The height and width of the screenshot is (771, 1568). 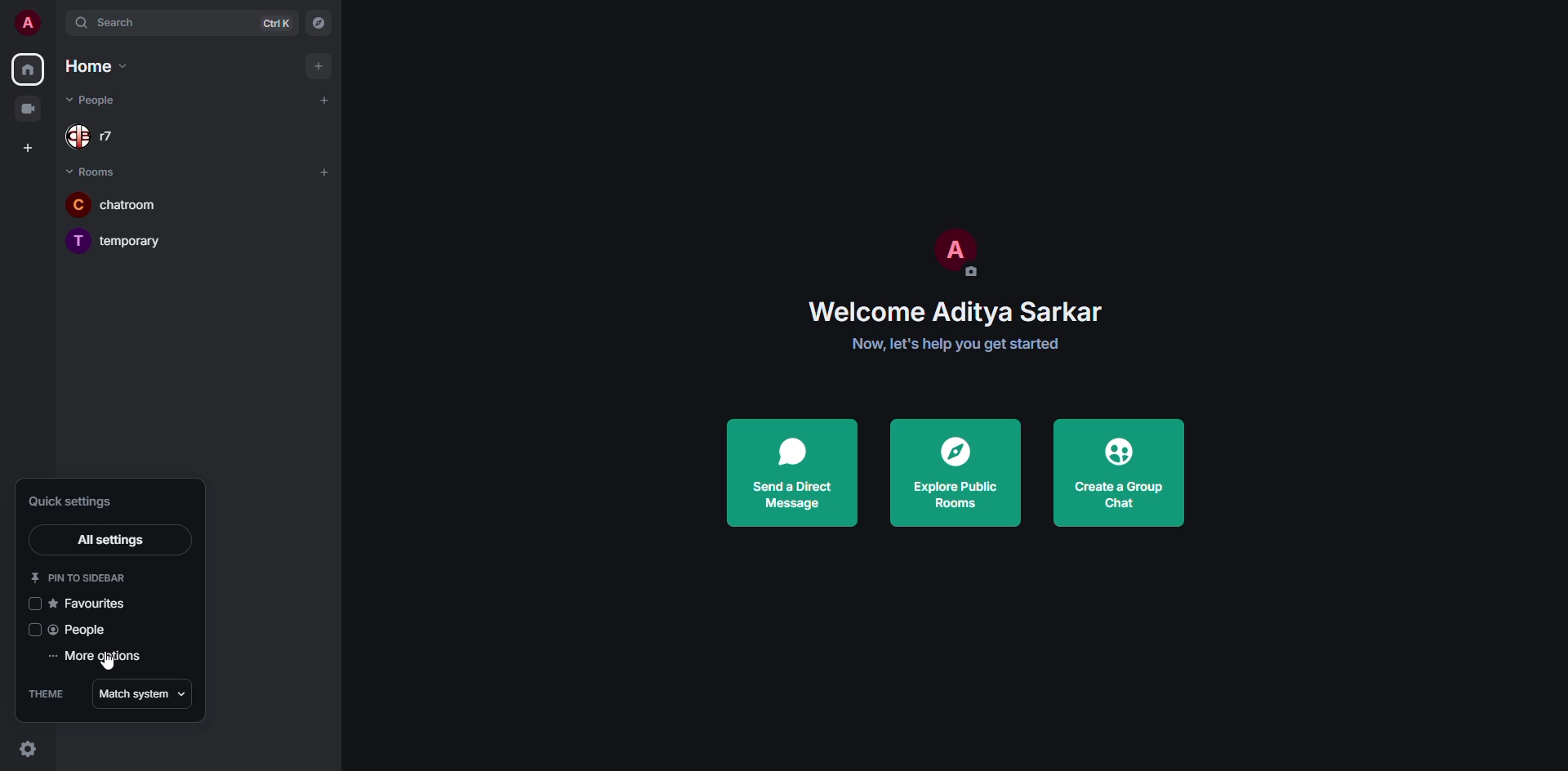 What do you see at coordinates (106, 667) in the screenshot?
I see `cursor` at bounding box center [106, 667].